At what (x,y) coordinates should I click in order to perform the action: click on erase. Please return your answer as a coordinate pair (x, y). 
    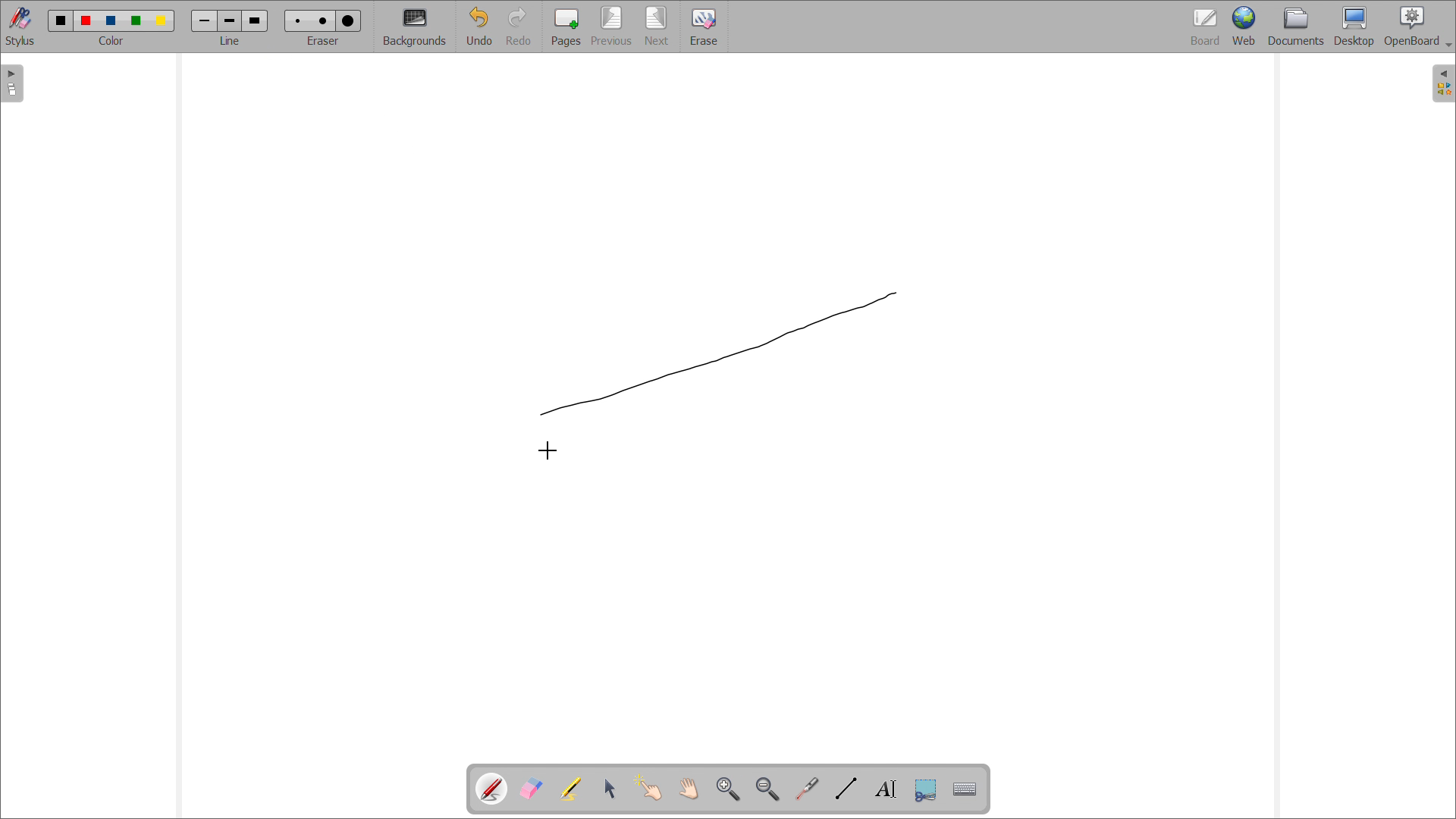
    Looking at the image, I should click on (704, 27).